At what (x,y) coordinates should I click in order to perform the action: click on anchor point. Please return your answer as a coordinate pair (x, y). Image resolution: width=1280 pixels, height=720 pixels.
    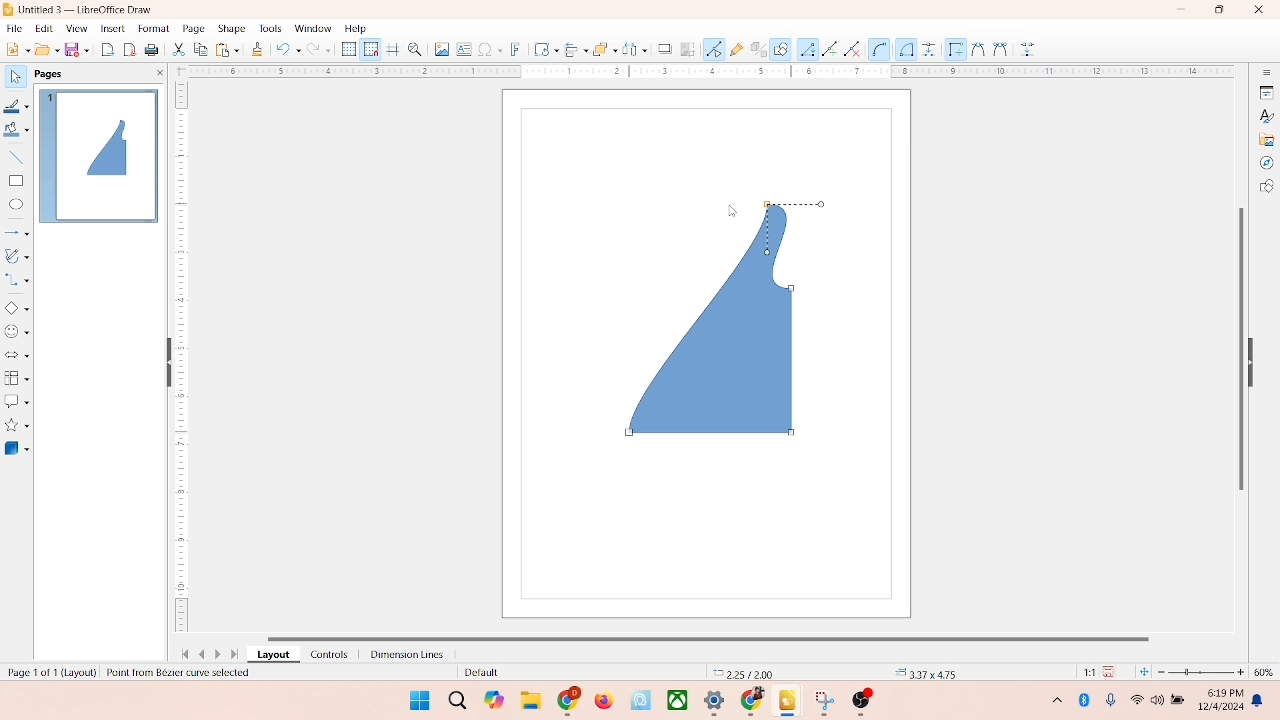
    Looking at the image, I should click on (920, 671).